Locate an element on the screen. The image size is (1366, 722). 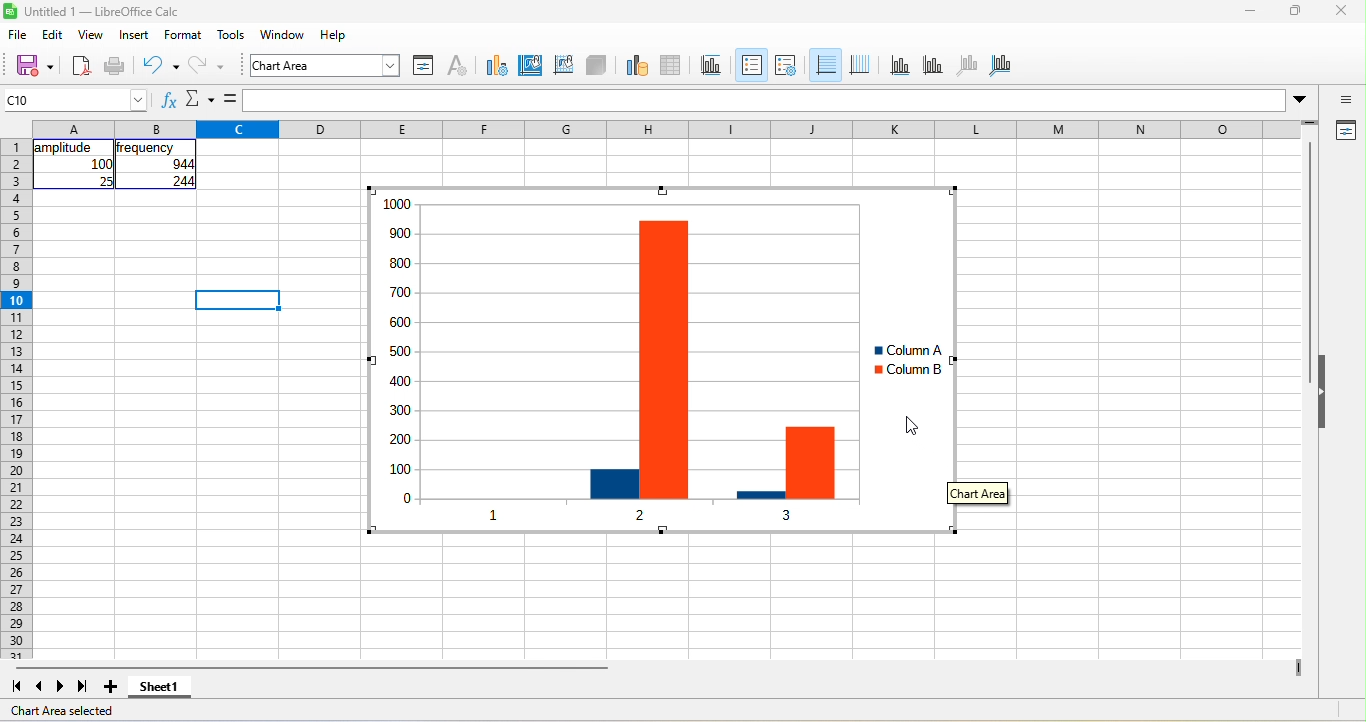
window is located at coordinates (283, 34).